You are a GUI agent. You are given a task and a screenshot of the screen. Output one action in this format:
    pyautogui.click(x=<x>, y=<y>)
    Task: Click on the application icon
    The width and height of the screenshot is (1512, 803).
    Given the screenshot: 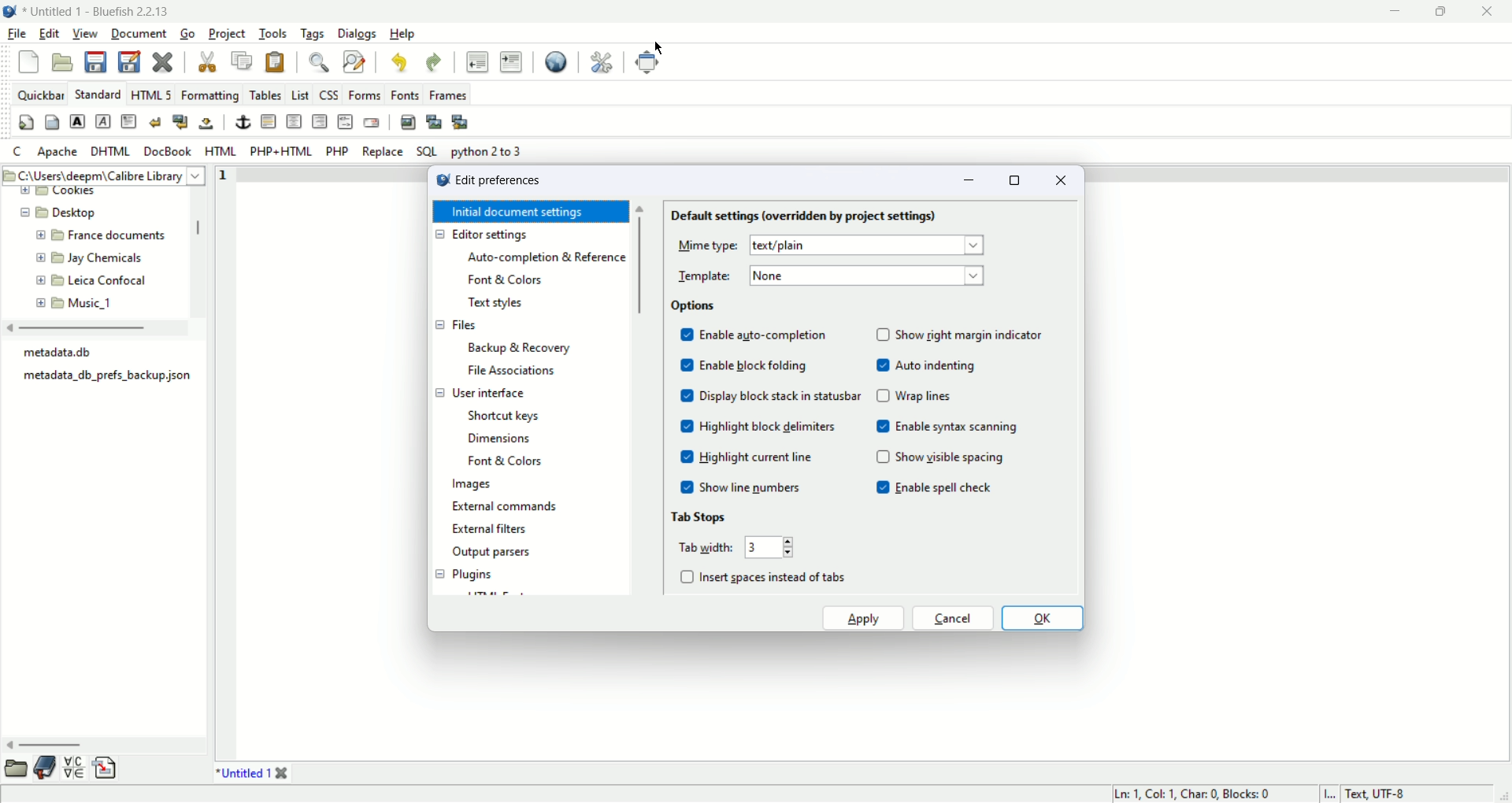 What is the action you would take?
    pyautogui.click(x=9, y=9)
    